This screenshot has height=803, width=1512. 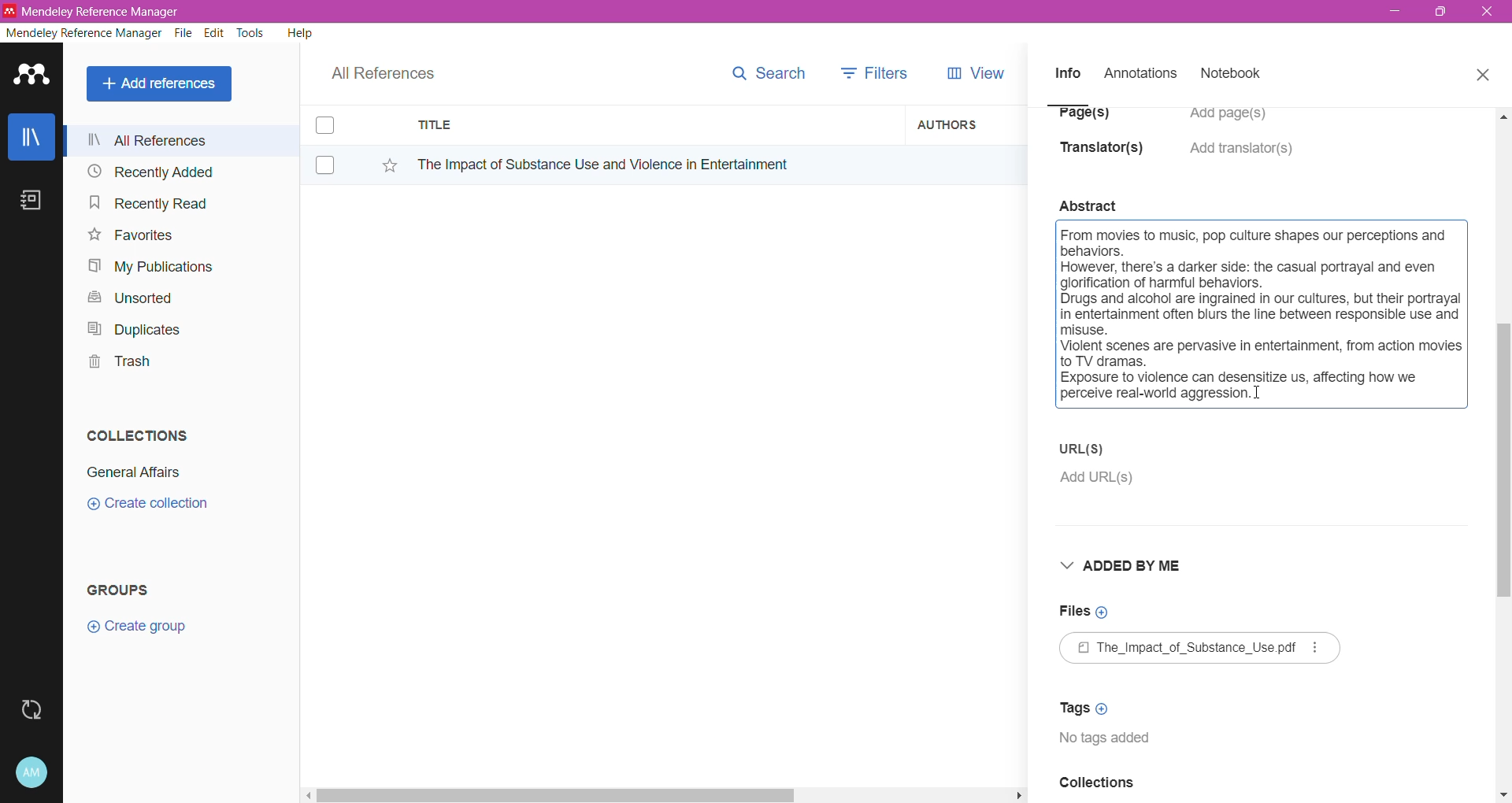 What do you see at coordinates (1067, 72) in the screenshot?
I see `Info` at bounding box center [1067, 72].